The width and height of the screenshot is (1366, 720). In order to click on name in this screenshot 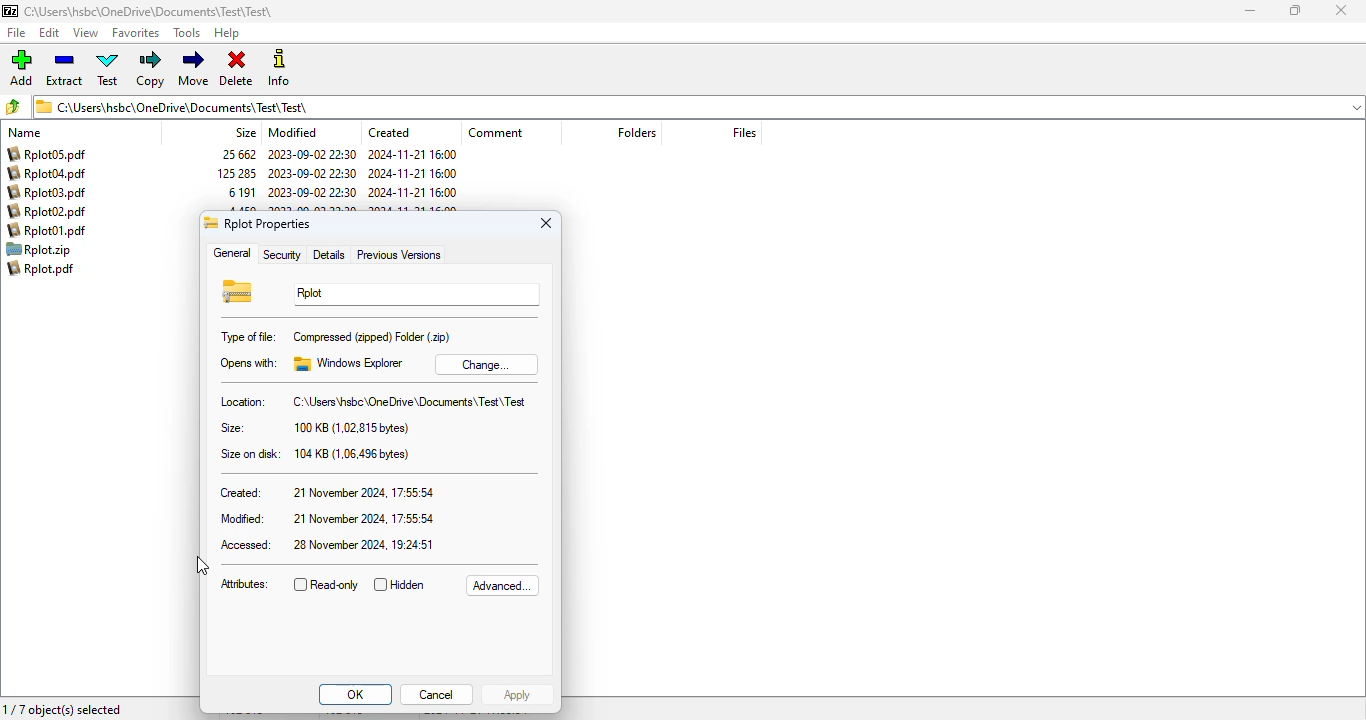, I will do `click(26, 132)`.